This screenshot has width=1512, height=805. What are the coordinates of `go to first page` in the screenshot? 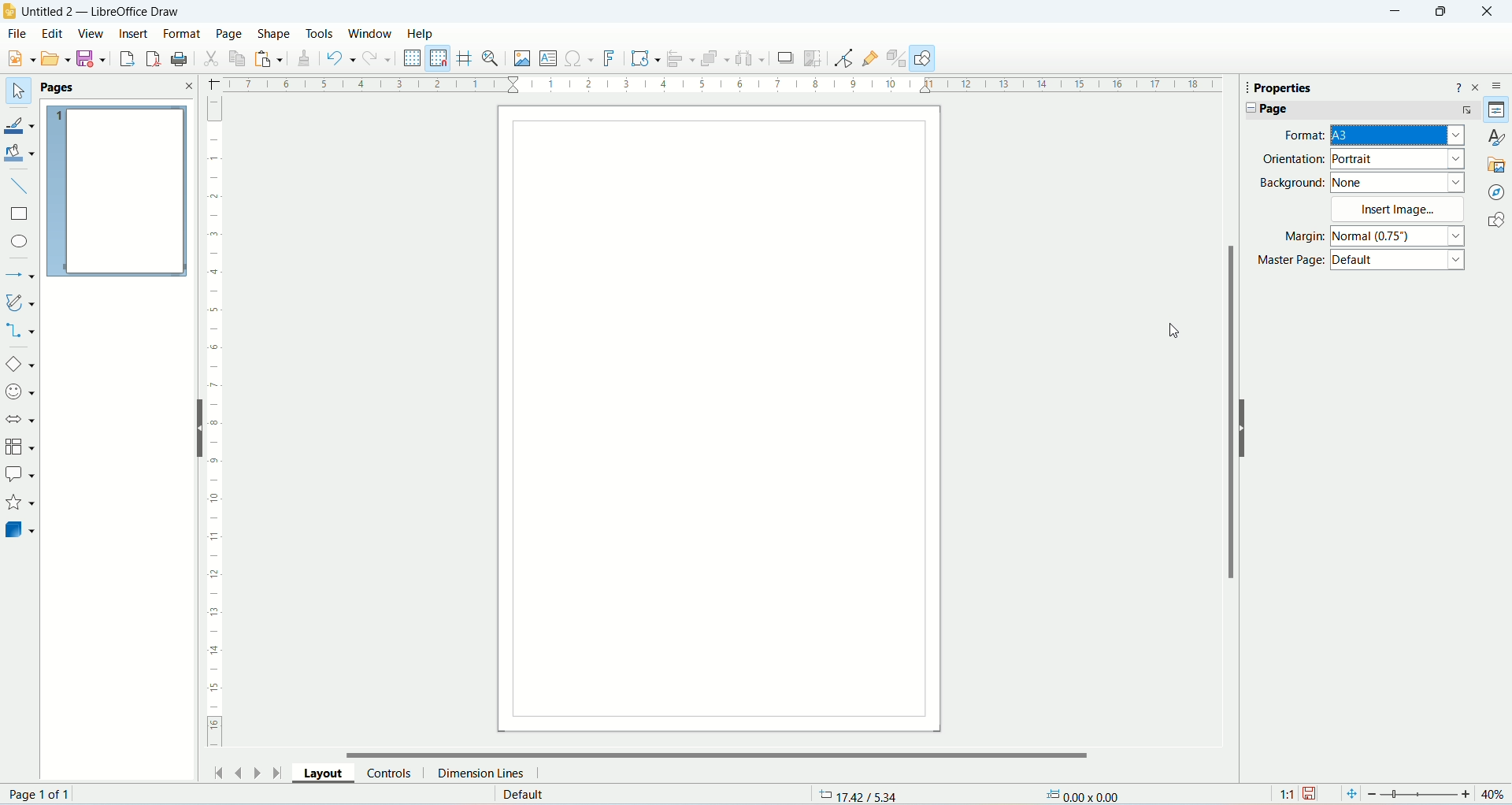 It's located at (220, 772).